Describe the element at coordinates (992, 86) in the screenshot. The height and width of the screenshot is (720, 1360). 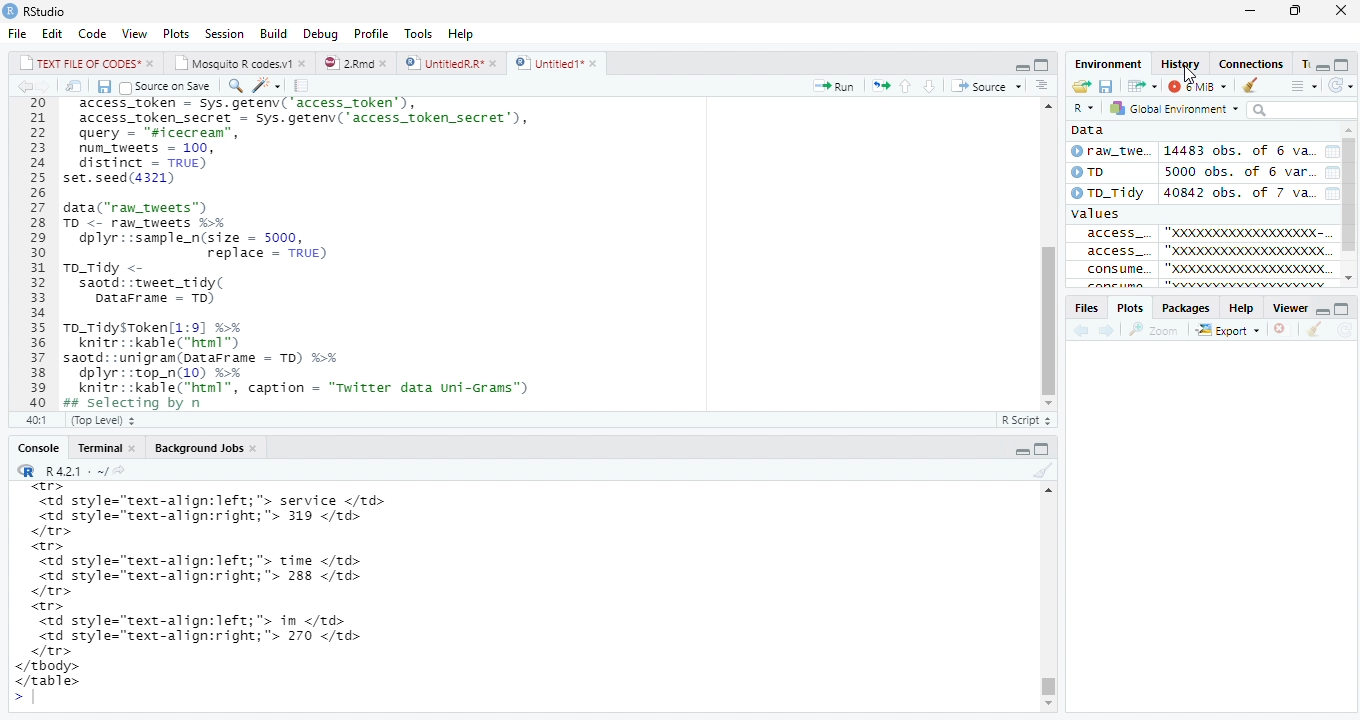
I see `+ Source` at that location.